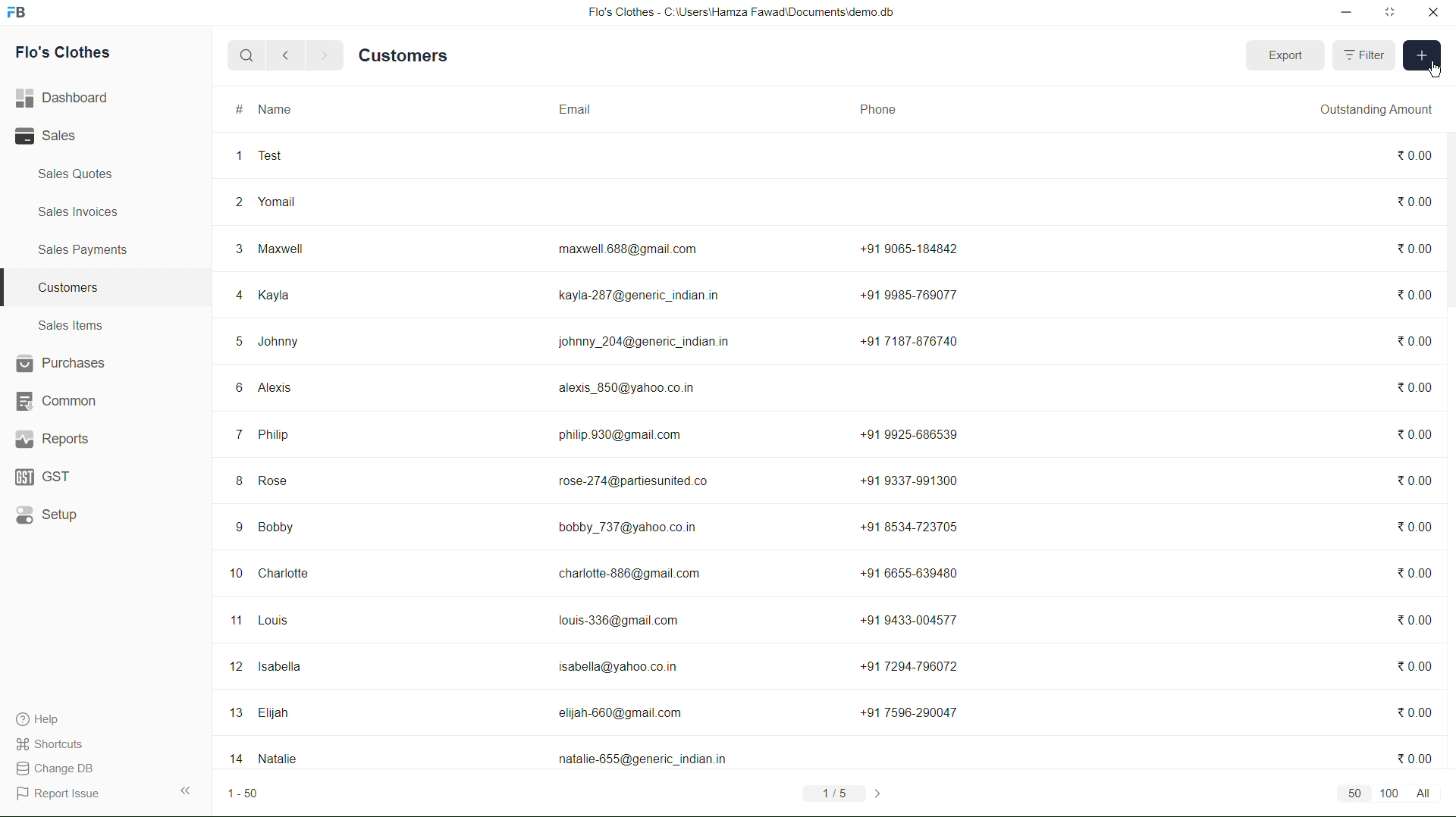 This screenshot has height=817, width=1456. I want to click on 7, so click(238, 437).